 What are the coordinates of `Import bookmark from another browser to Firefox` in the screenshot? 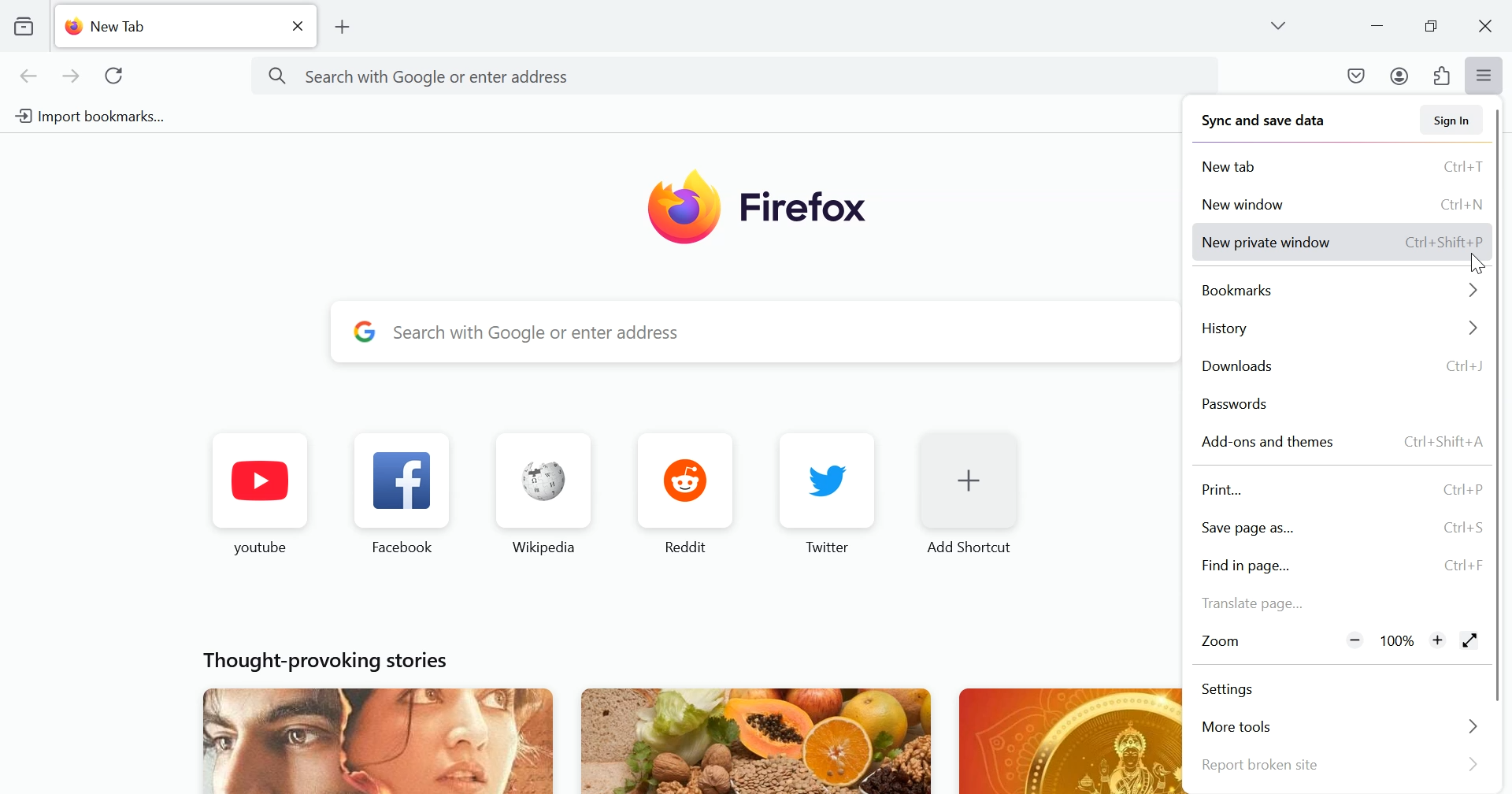 It's located at (103, 114).